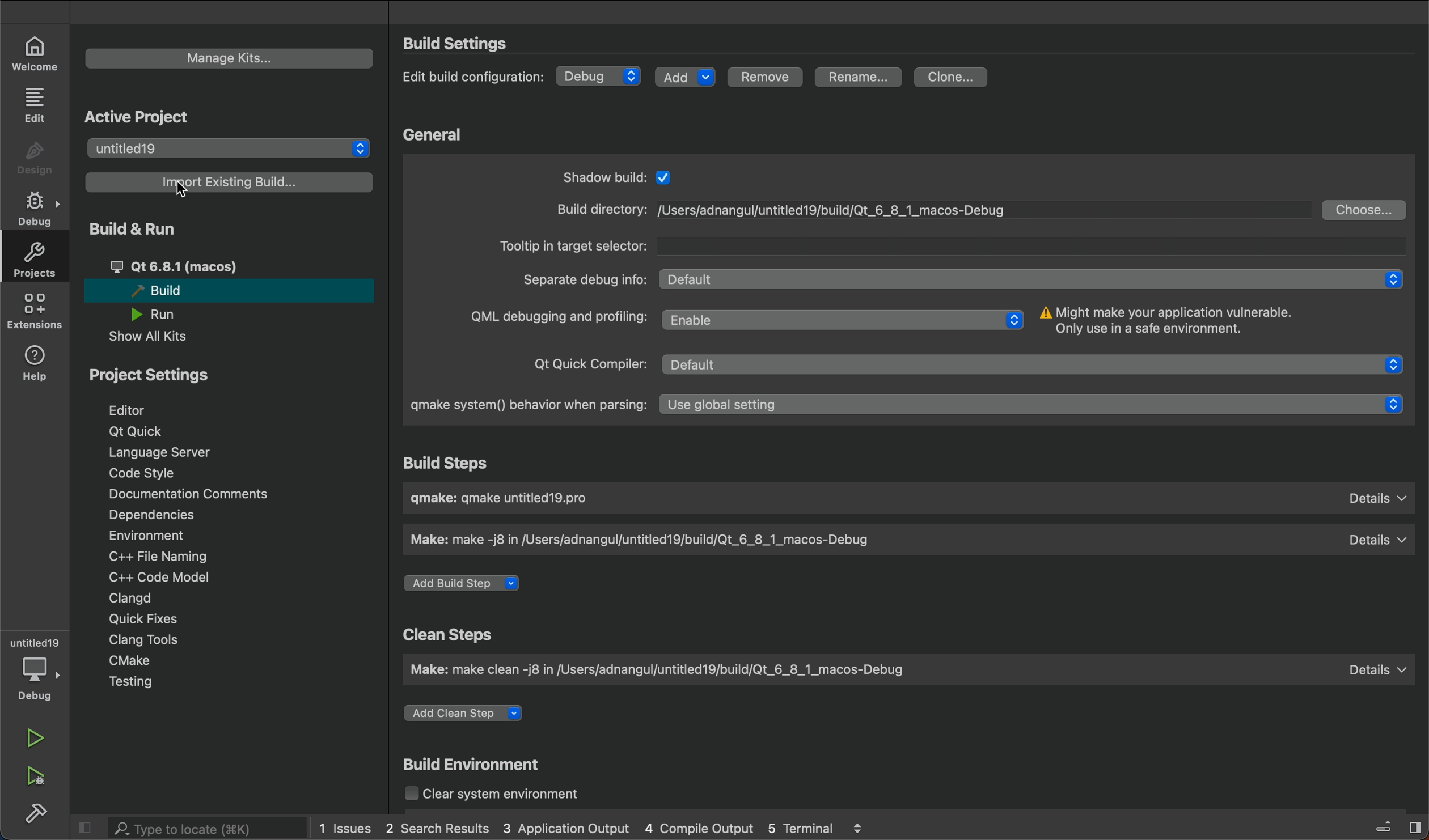  What do you see at coordinates (173, 374) in the screenshot?
I see `project setting ` at bounding box center [173, 374].